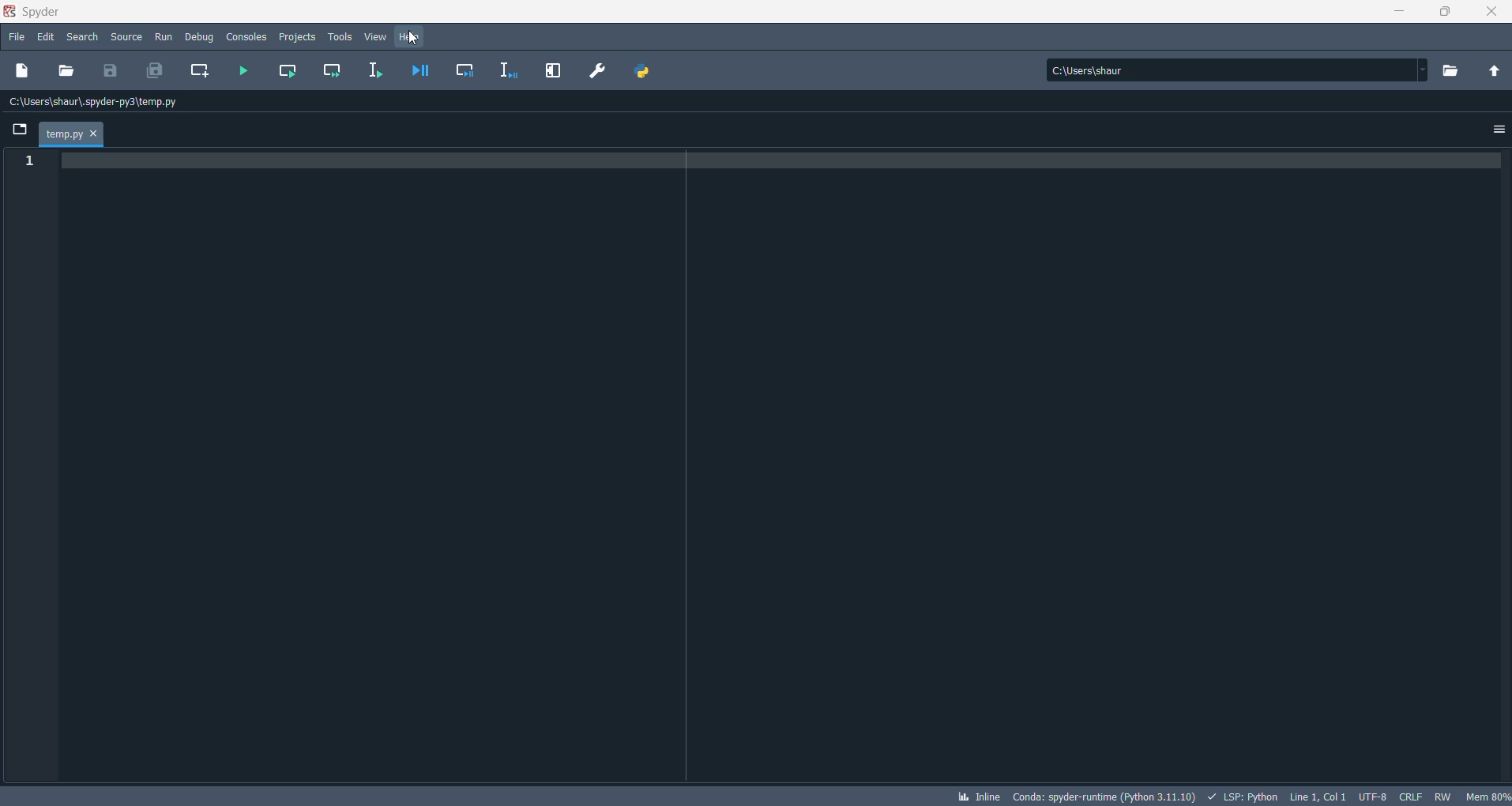  I want to click on parent directory, so click(1494, 70).